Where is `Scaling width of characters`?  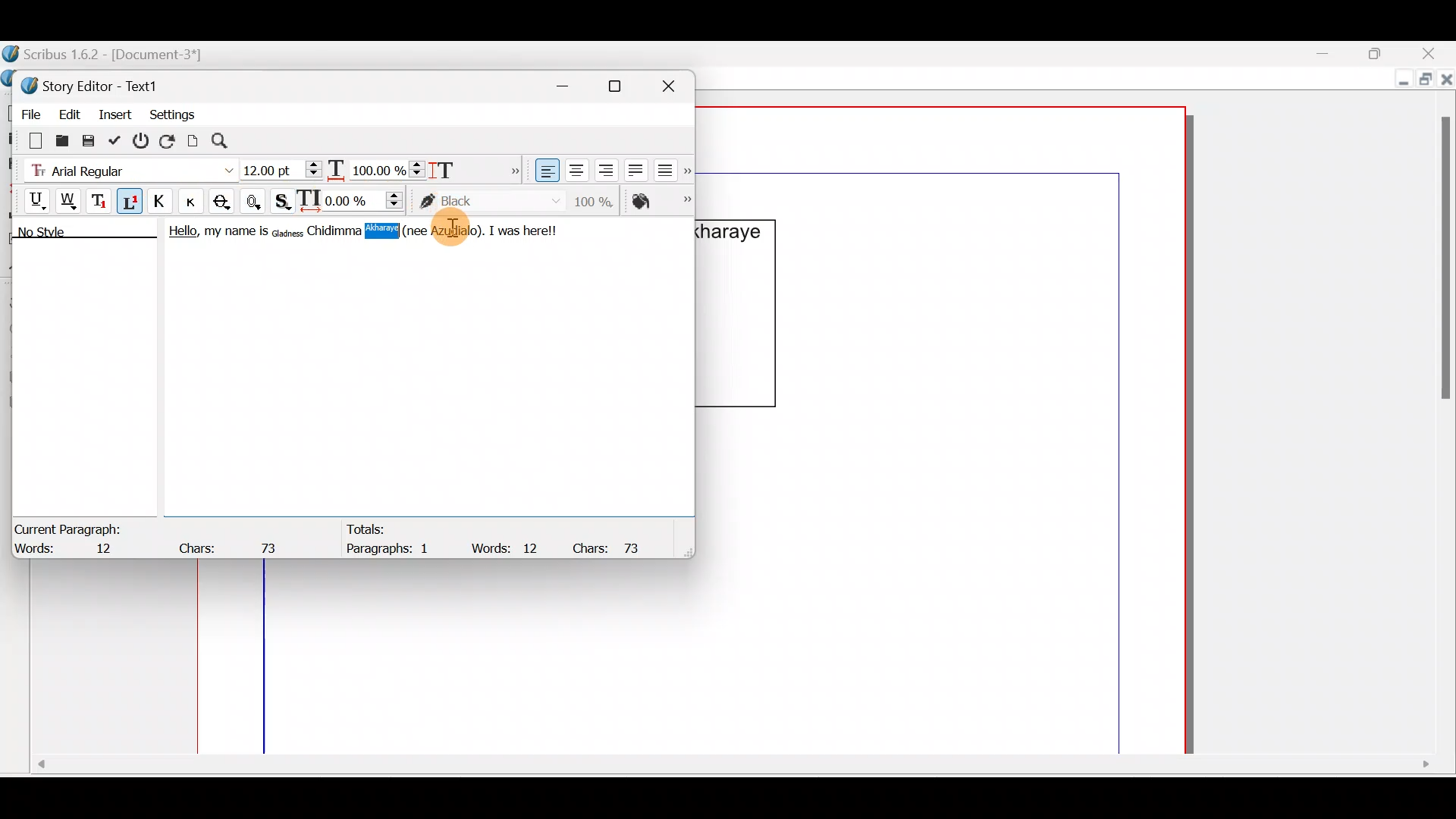
Scaling width of characters is located at coordinates (376, 167).